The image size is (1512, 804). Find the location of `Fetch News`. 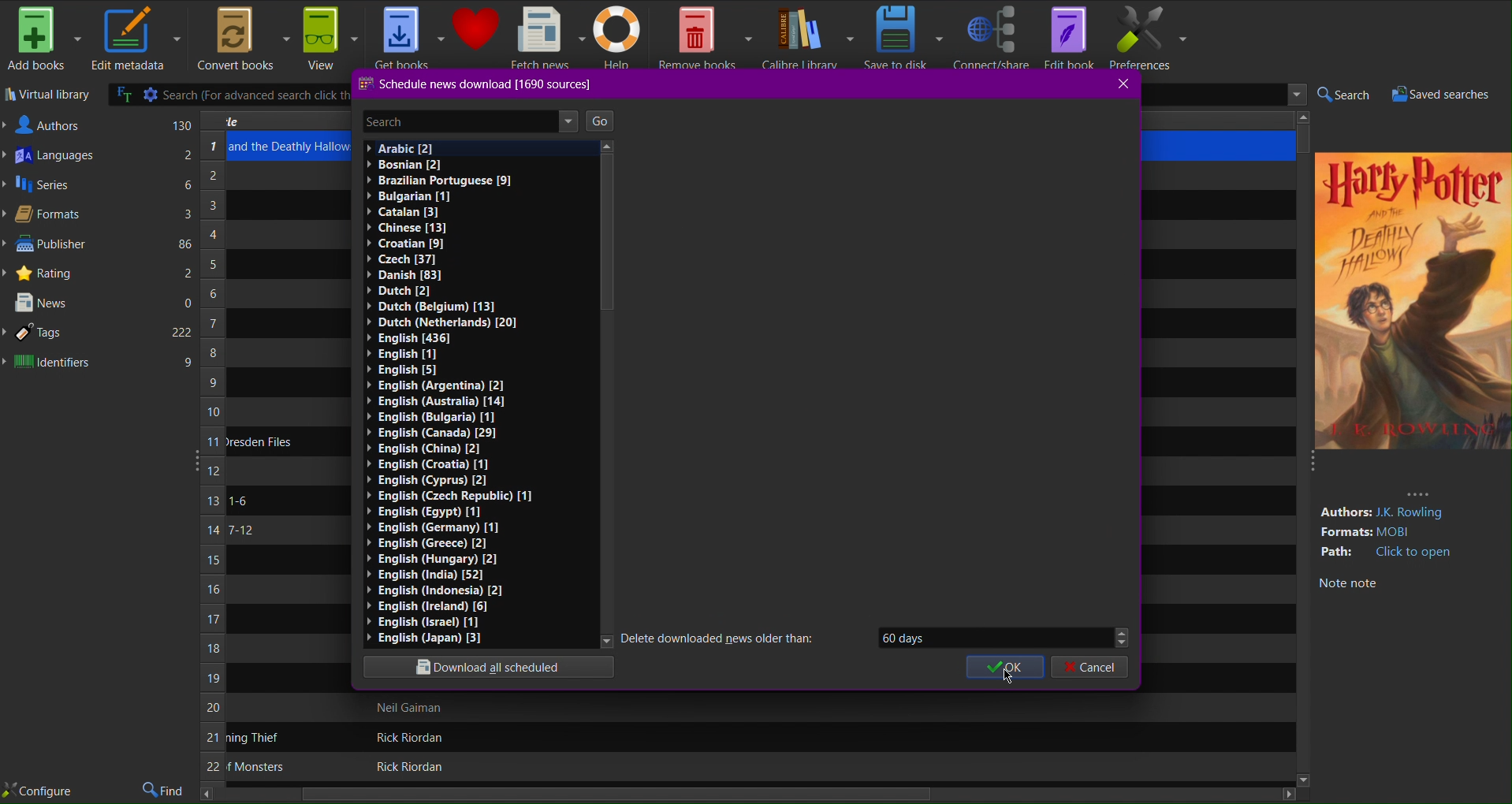

Fetch News is located at coordinates (547, 37).